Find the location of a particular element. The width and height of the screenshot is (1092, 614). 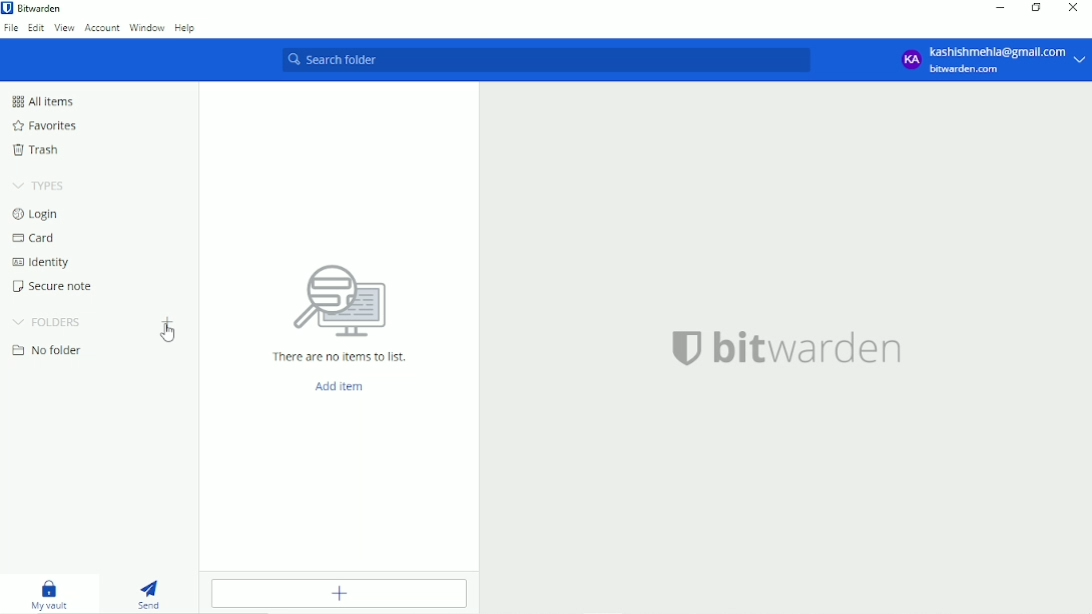

bitwarden logo is located at coordinates (679, 353).